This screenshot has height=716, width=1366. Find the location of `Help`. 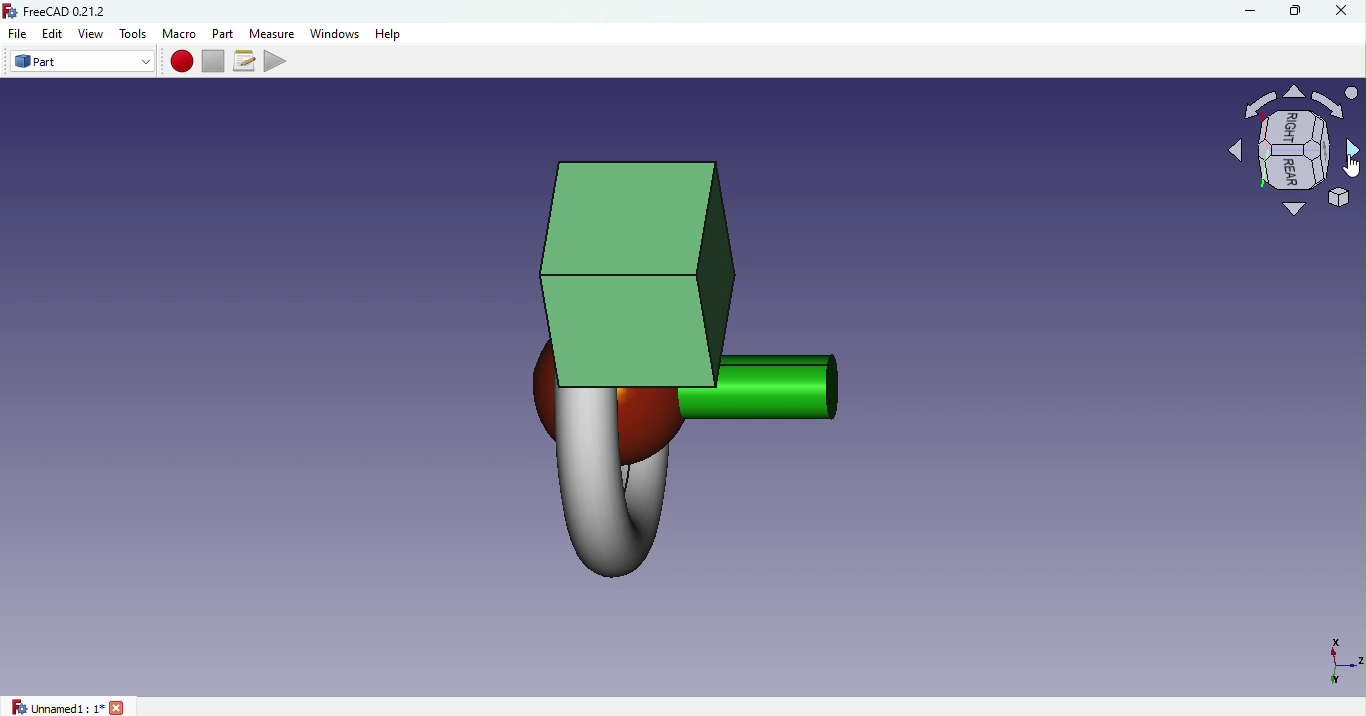

Help is located at coordinates (391, 35).